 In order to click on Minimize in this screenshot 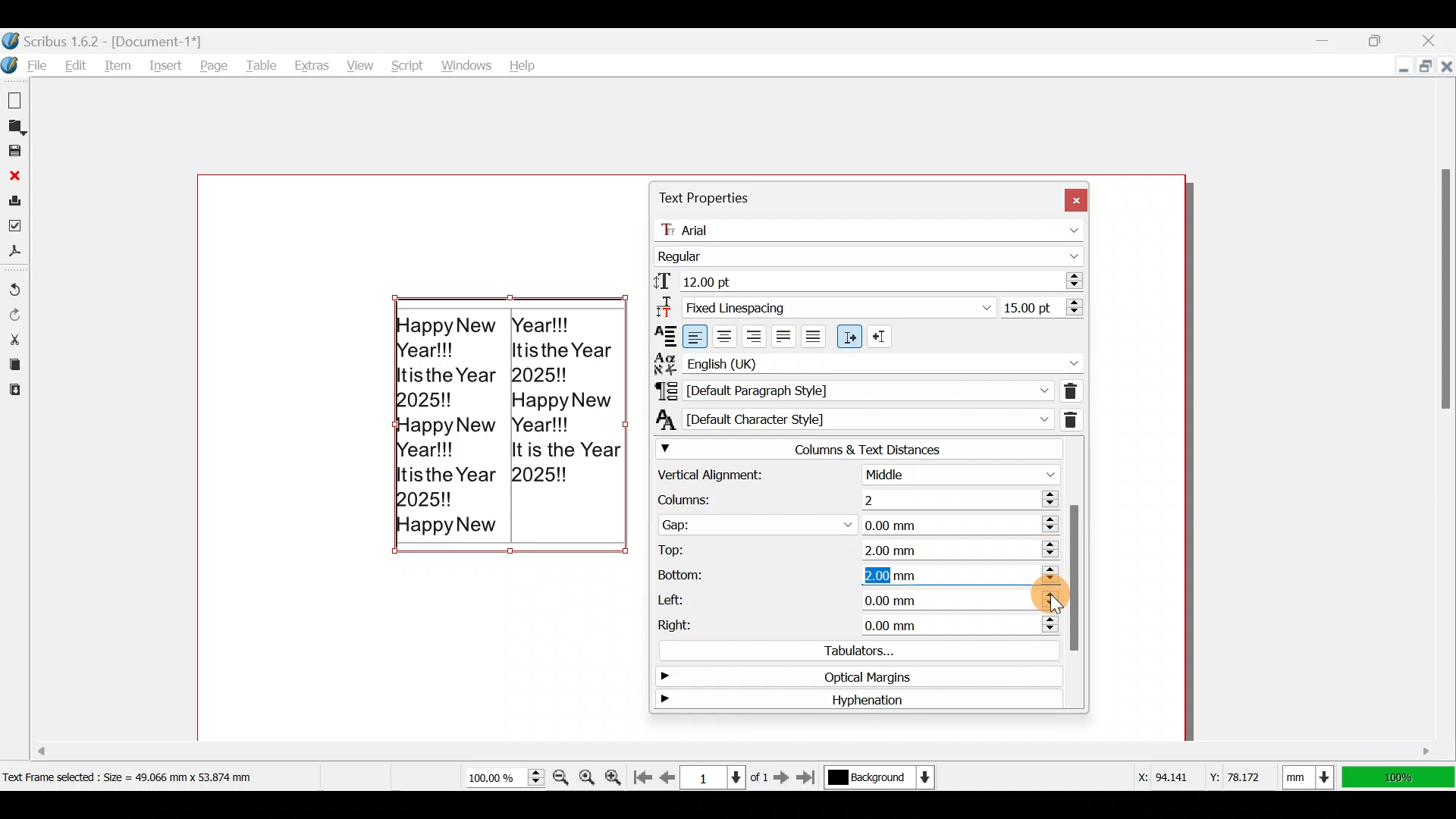, I will do `click(1391, 67)`.